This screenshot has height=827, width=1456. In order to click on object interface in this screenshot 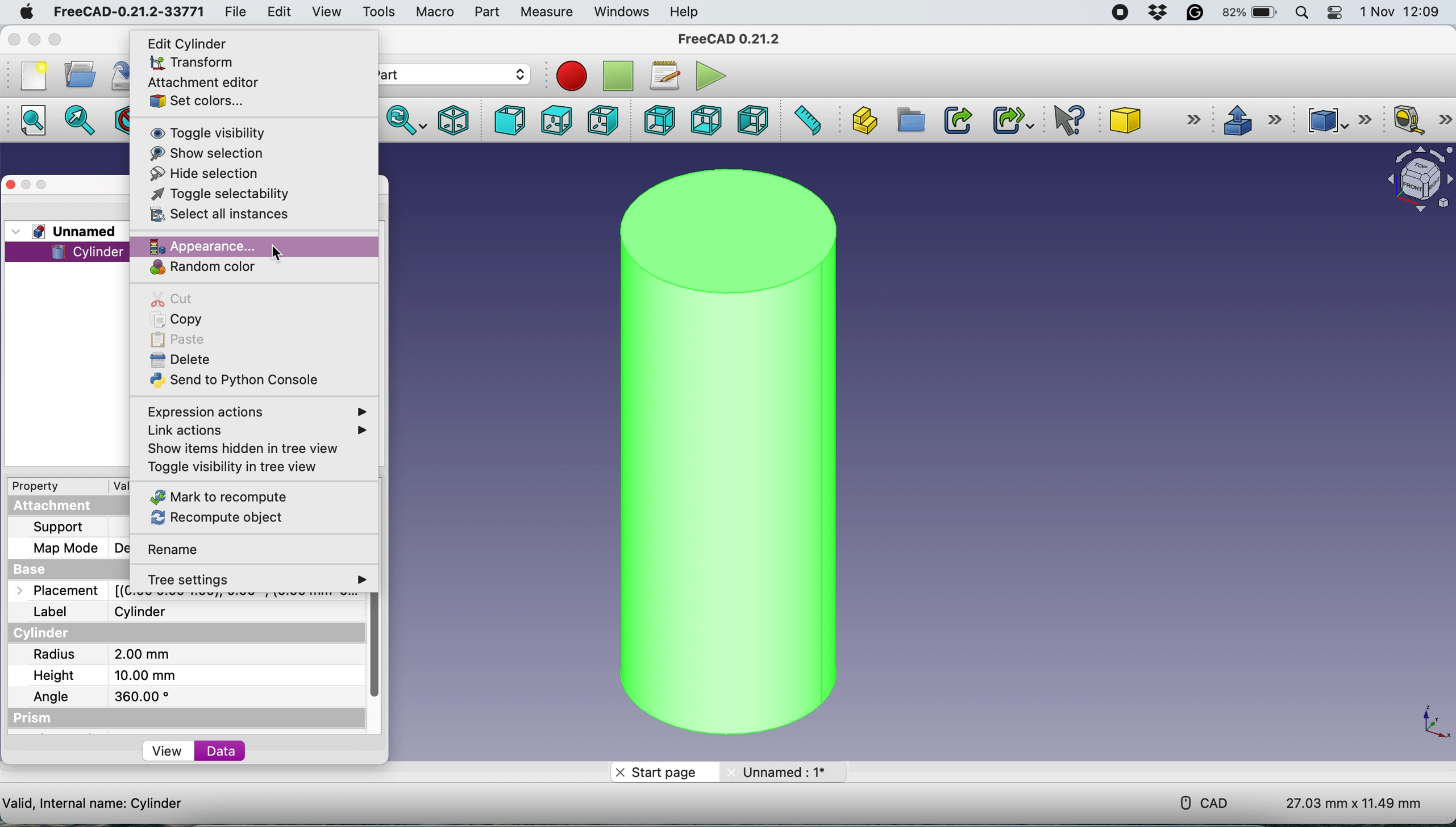, I will do `click(1418, 179)`.